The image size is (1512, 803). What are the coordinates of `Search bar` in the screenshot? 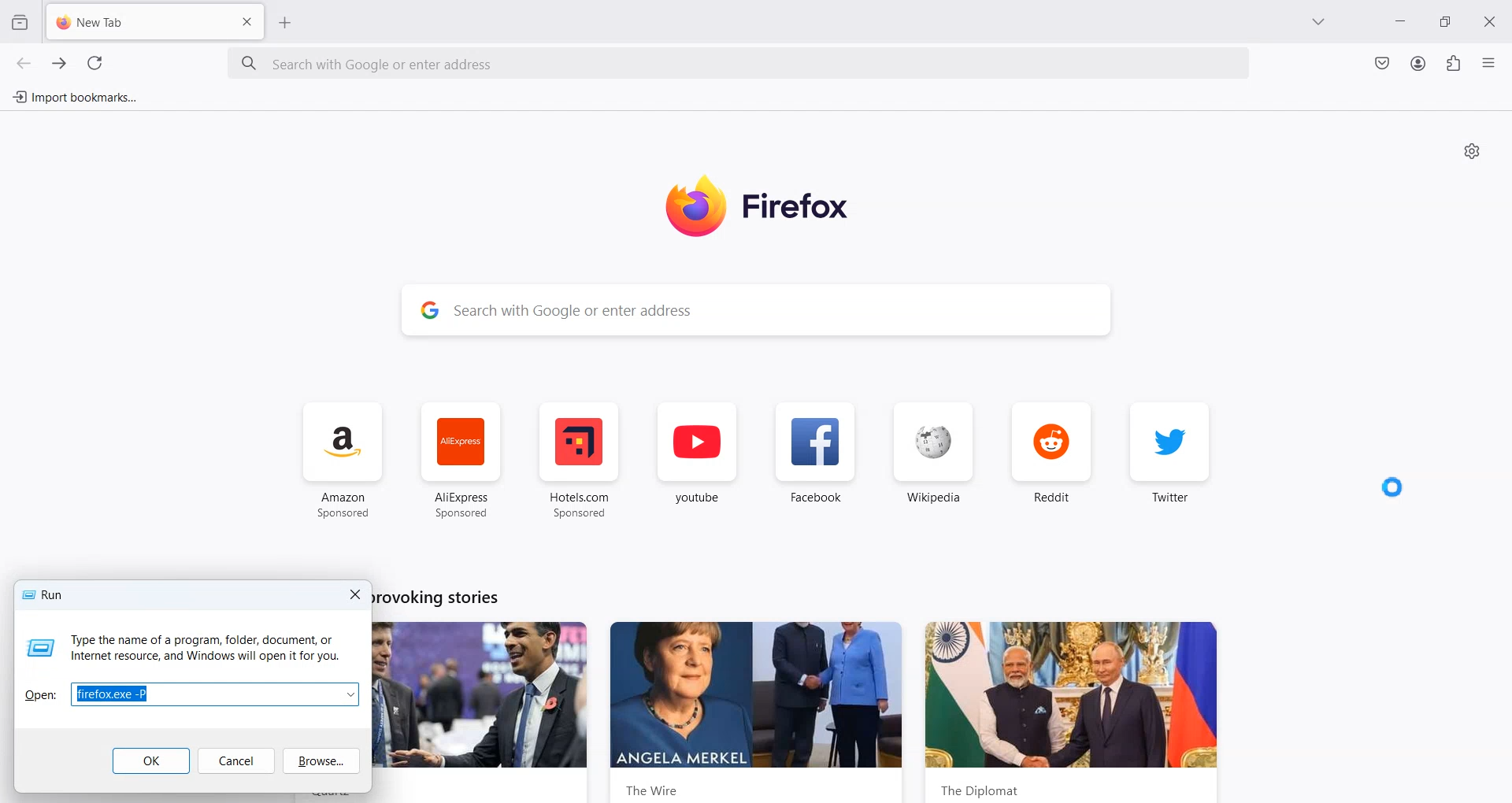 It's located at (740, 65).